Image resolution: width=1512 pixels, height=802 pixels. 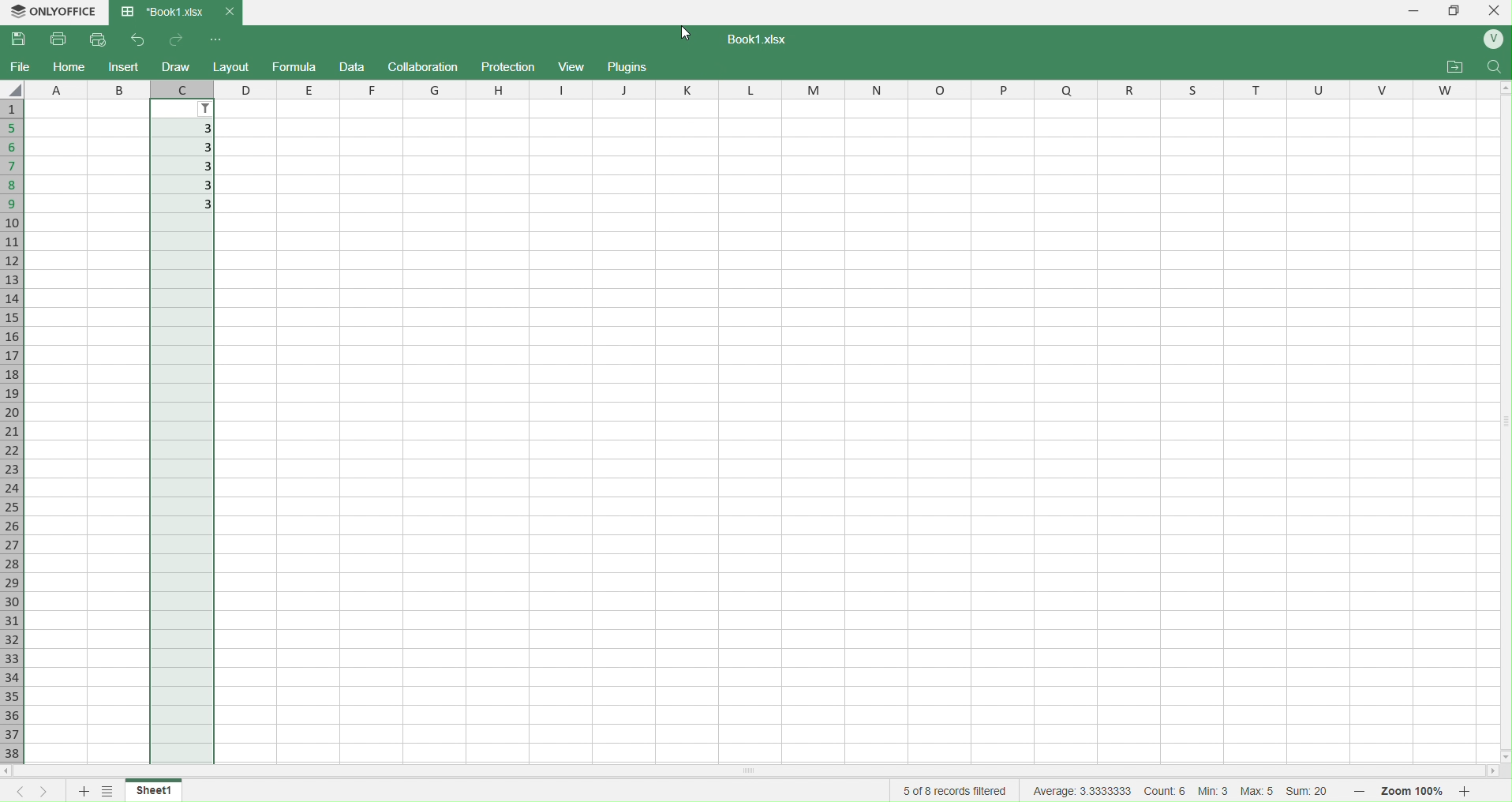 I want to click on Collaboration, so click(x=424, y=66).